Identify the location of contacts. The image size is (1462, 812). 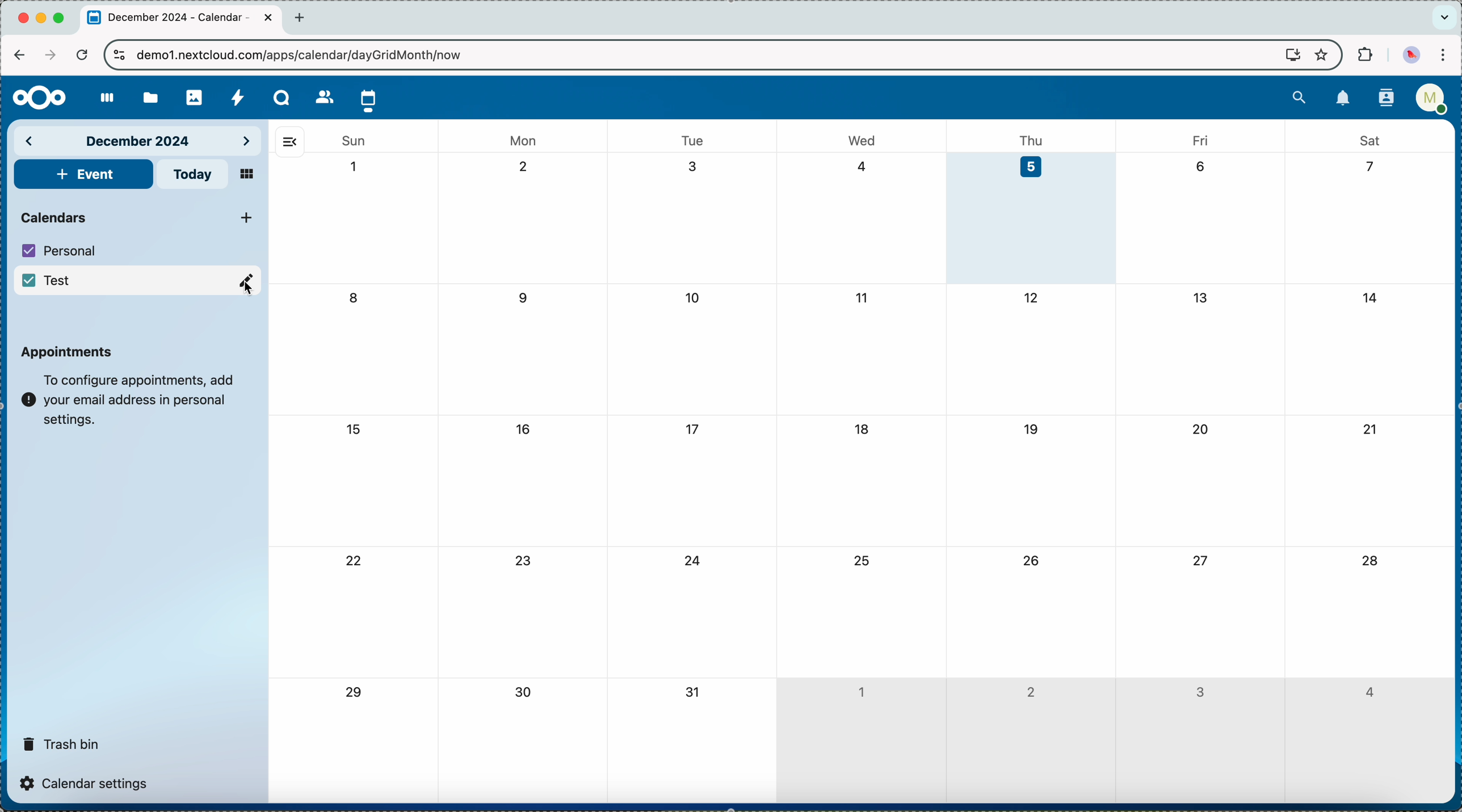
(321, 96).